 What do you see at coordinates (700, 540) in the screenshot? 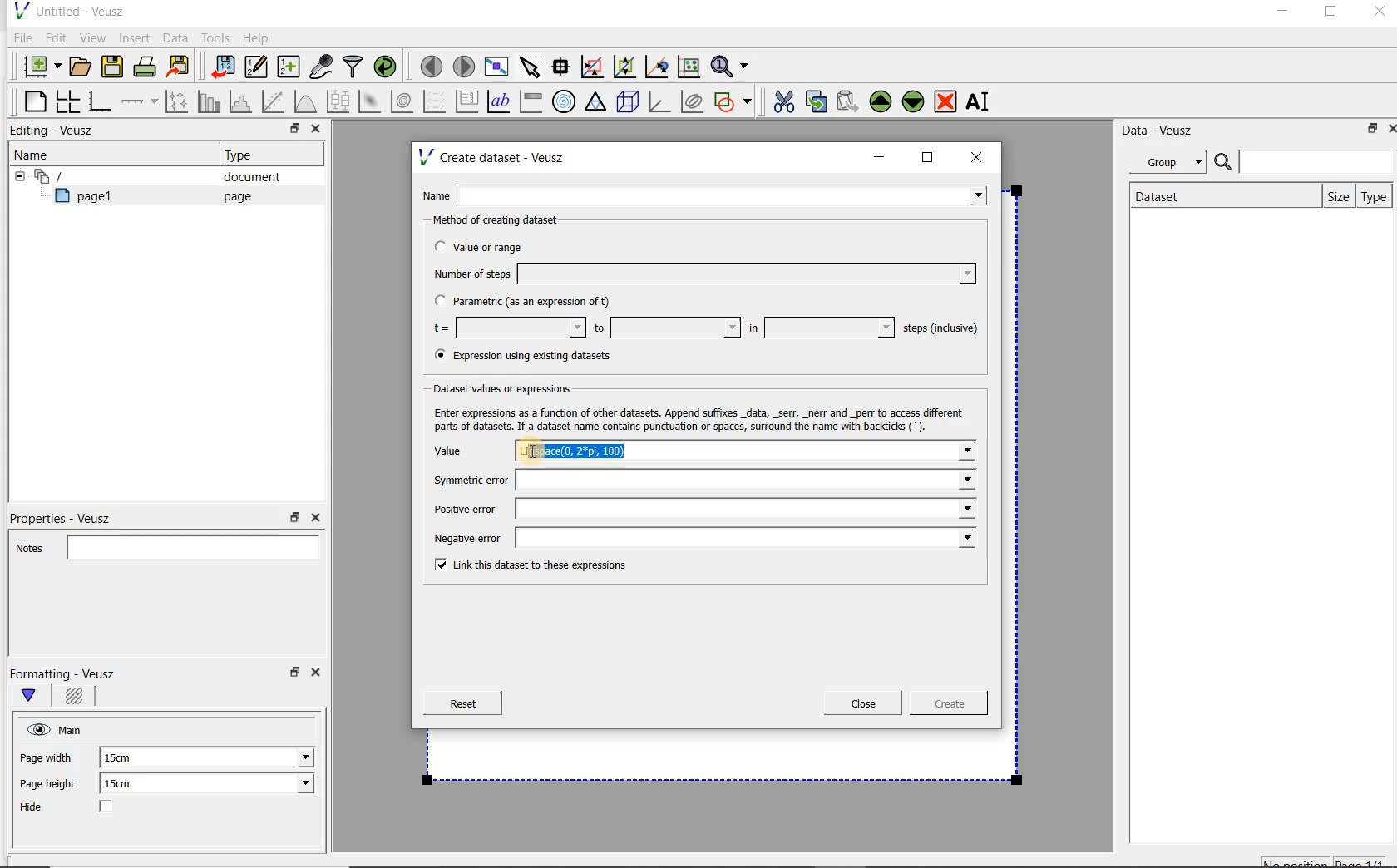
I see `Negative error ` at bounding box center [700, 540].